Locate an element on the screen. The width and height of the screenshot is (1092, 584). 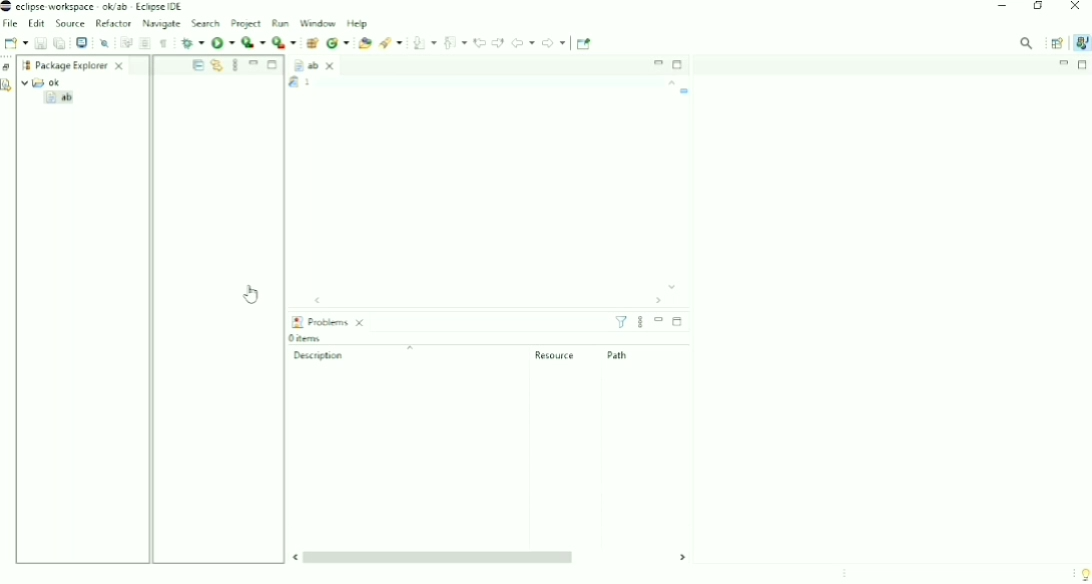
View menu is located at coordinates (640, 323).